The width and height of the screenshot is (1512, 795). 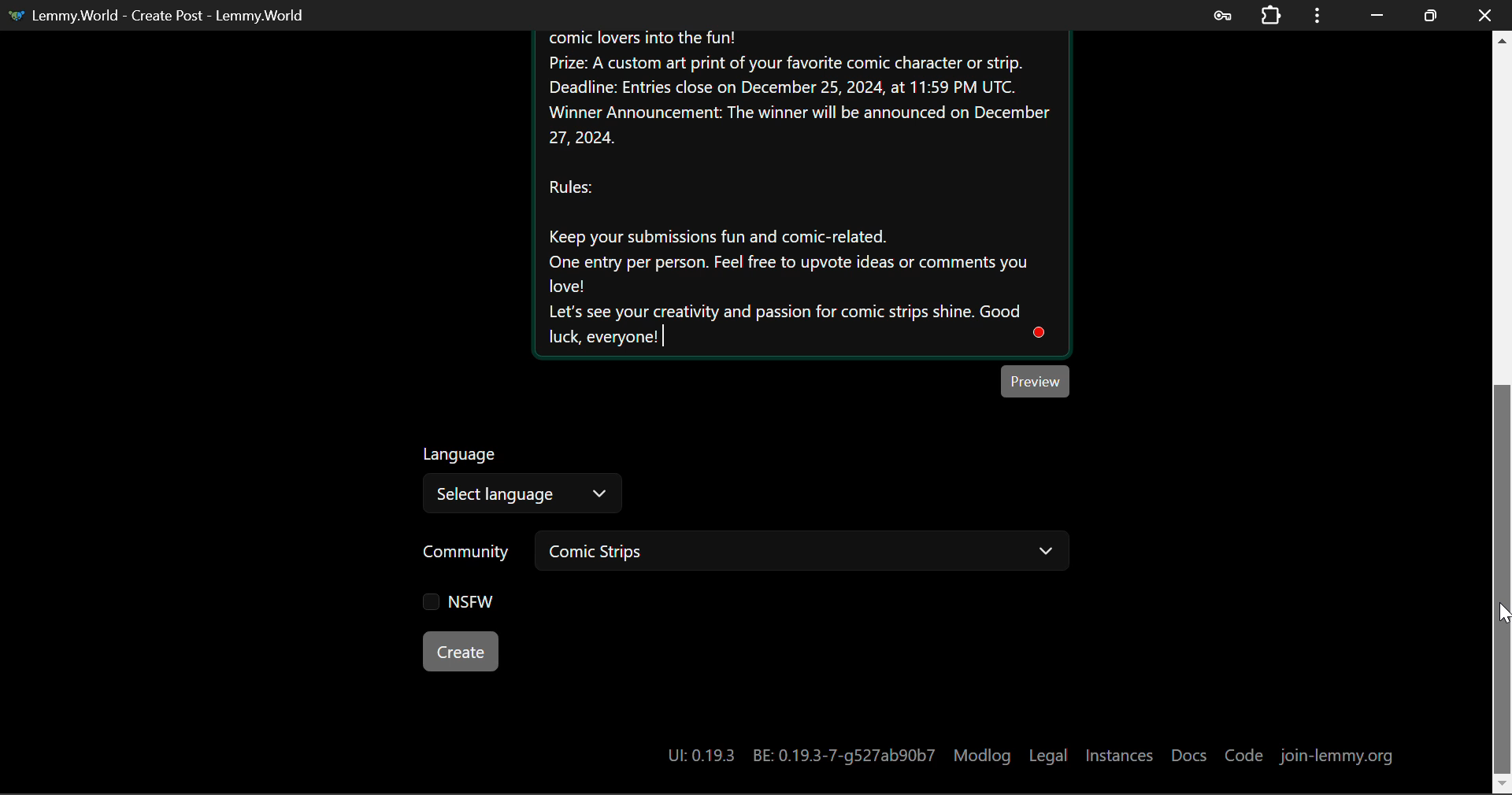 What do you see at coordinates (1036, 381) in the screenshot?
I see `Preview` at bounding box center [1036, 381].